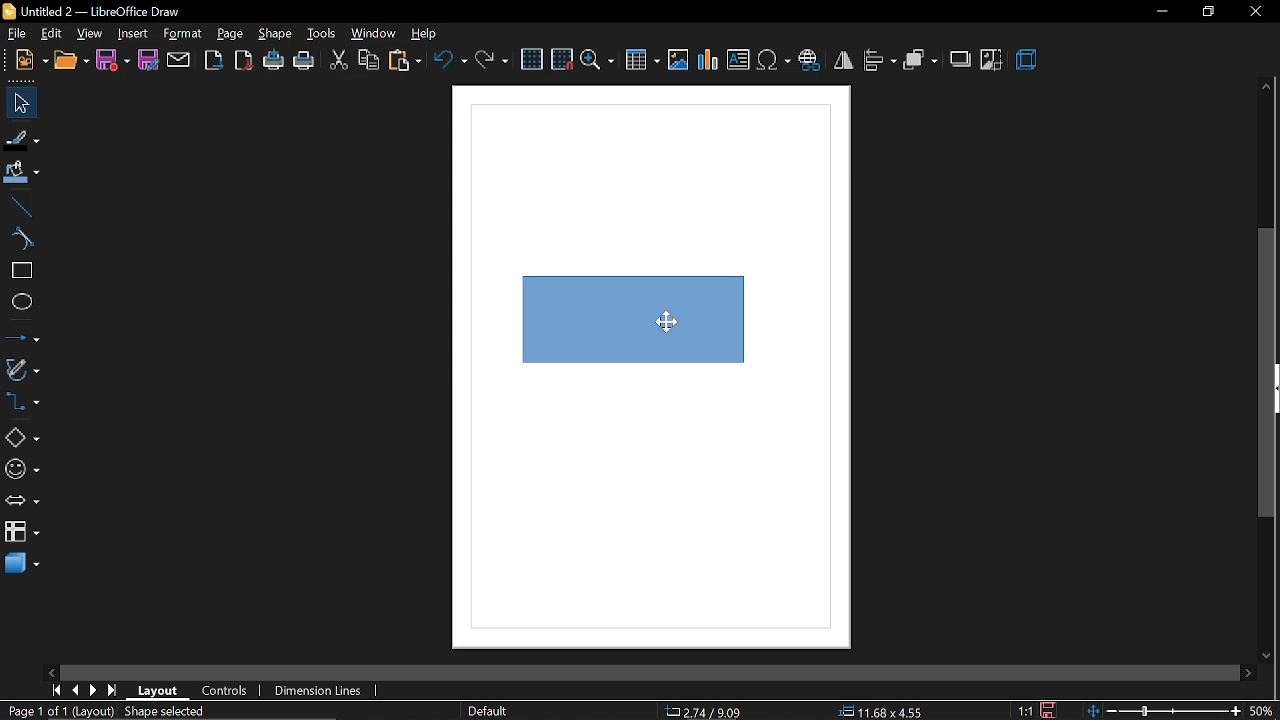 The image size is (1280, 720). I want to click on 1:1, so click(1025, 710).